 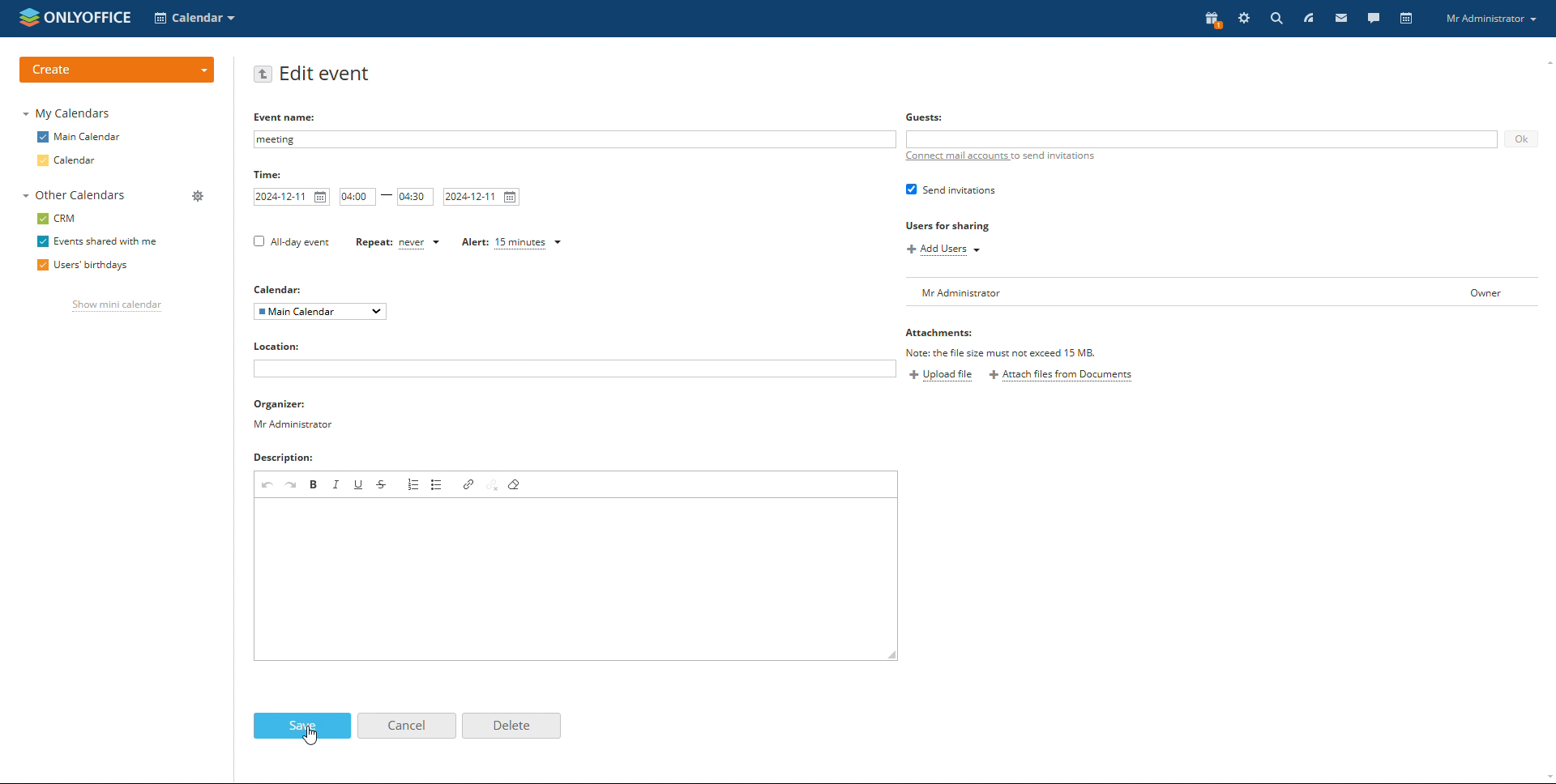 What do you see at coordinates (337, 484) in the screenshot?
I see `italic` at bounding box center [337, 484].